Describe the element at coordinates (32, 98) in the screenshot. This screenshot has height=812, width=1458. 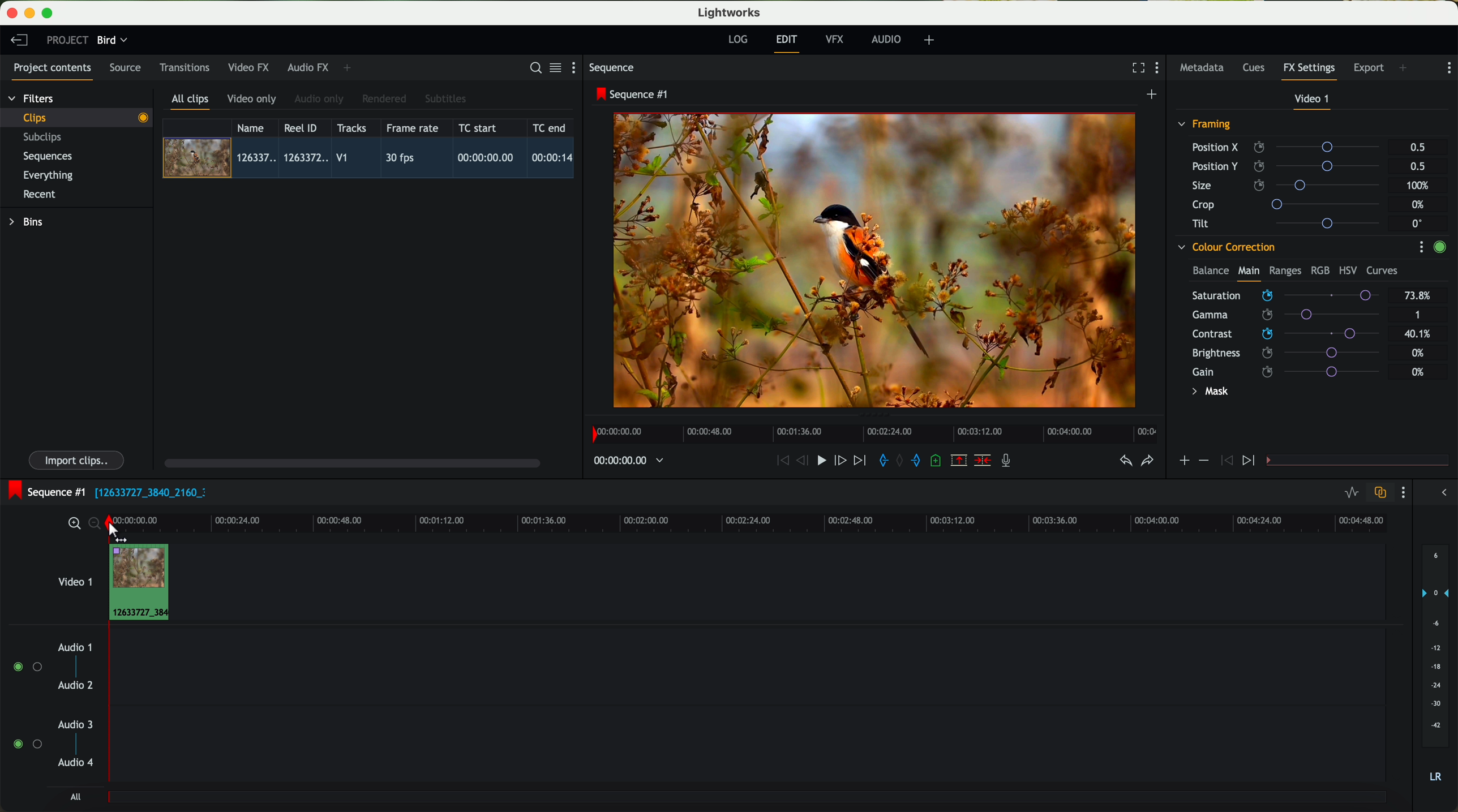
I see `filters` at that location.